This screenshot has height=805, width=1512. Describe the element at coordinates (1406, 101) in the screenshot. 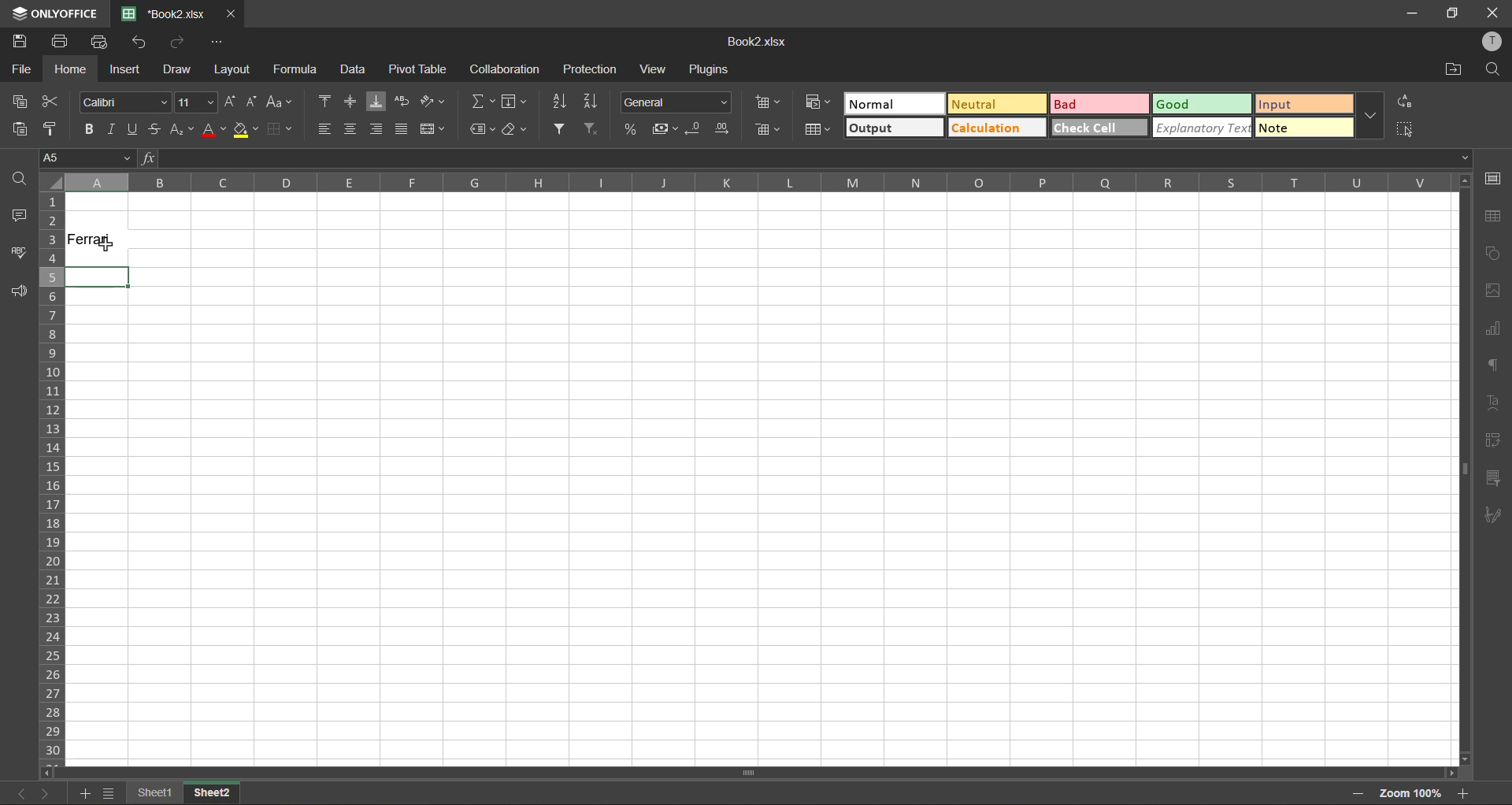

I see `replace` at that location.